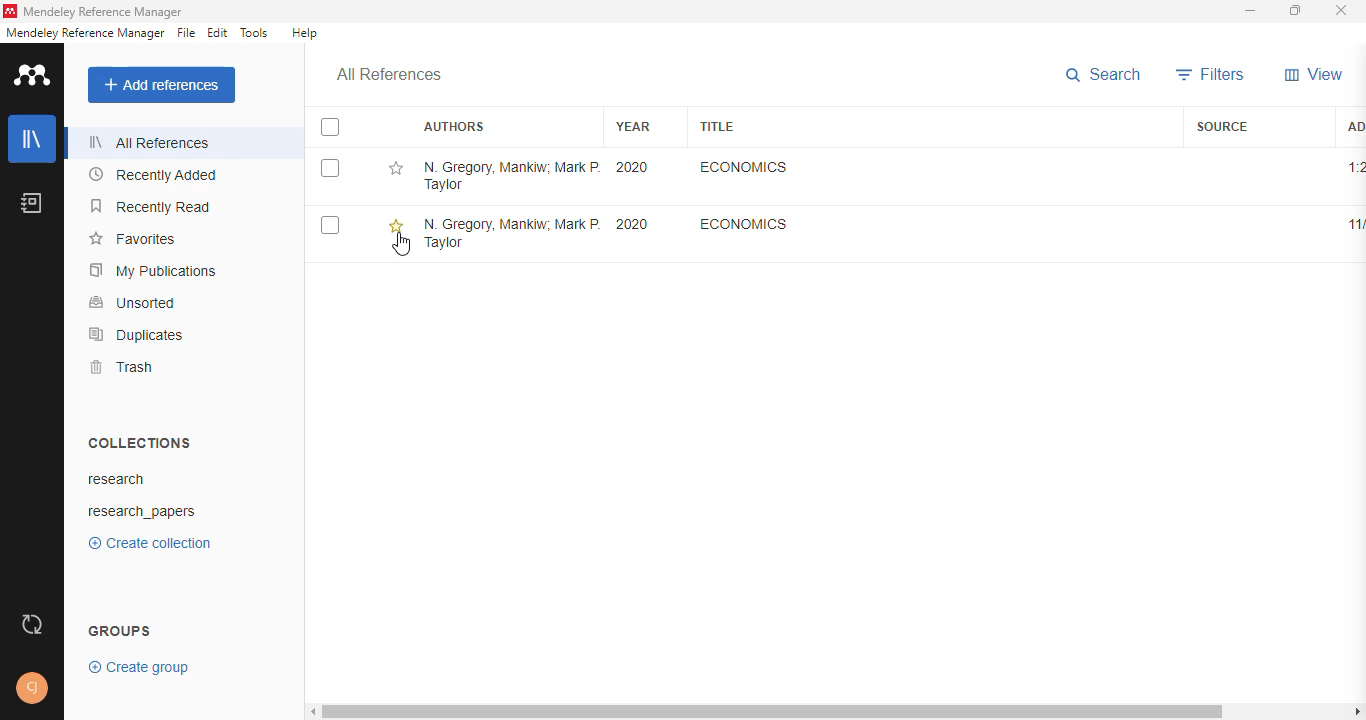 The width and height of the screenshot is (1366, 720). What do you see at coordinates (85, 33) in the screenshot?
I see `mendeley reference manager` at bounding box center [85, 33].